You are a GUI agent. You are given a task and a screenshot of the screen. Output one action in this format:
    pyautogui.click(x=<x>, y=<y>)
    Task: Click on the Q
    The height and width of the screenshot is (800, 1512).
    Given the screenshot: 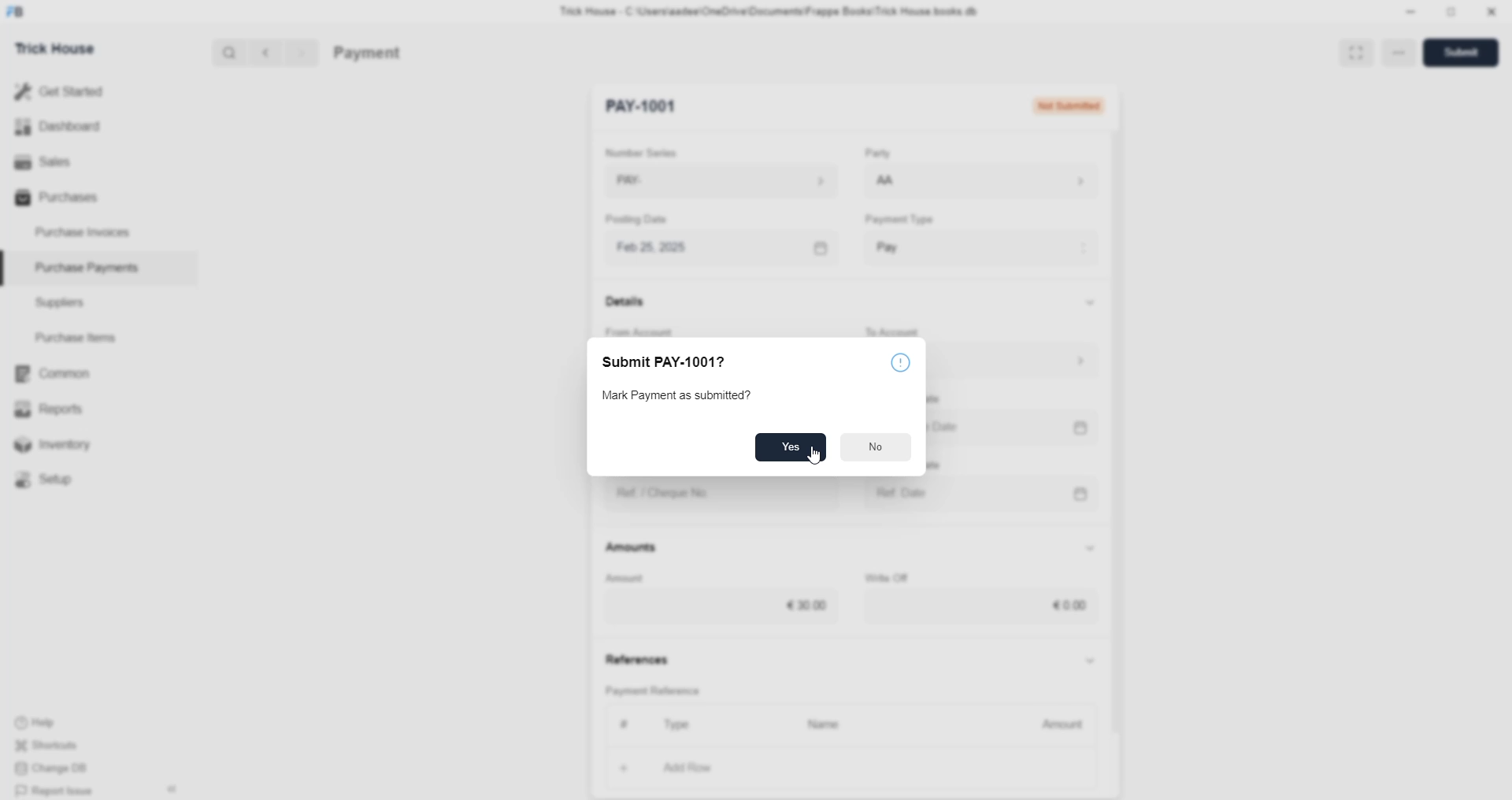 What is the action you would take?
    pyautogui.click(x=224, y=51)
    